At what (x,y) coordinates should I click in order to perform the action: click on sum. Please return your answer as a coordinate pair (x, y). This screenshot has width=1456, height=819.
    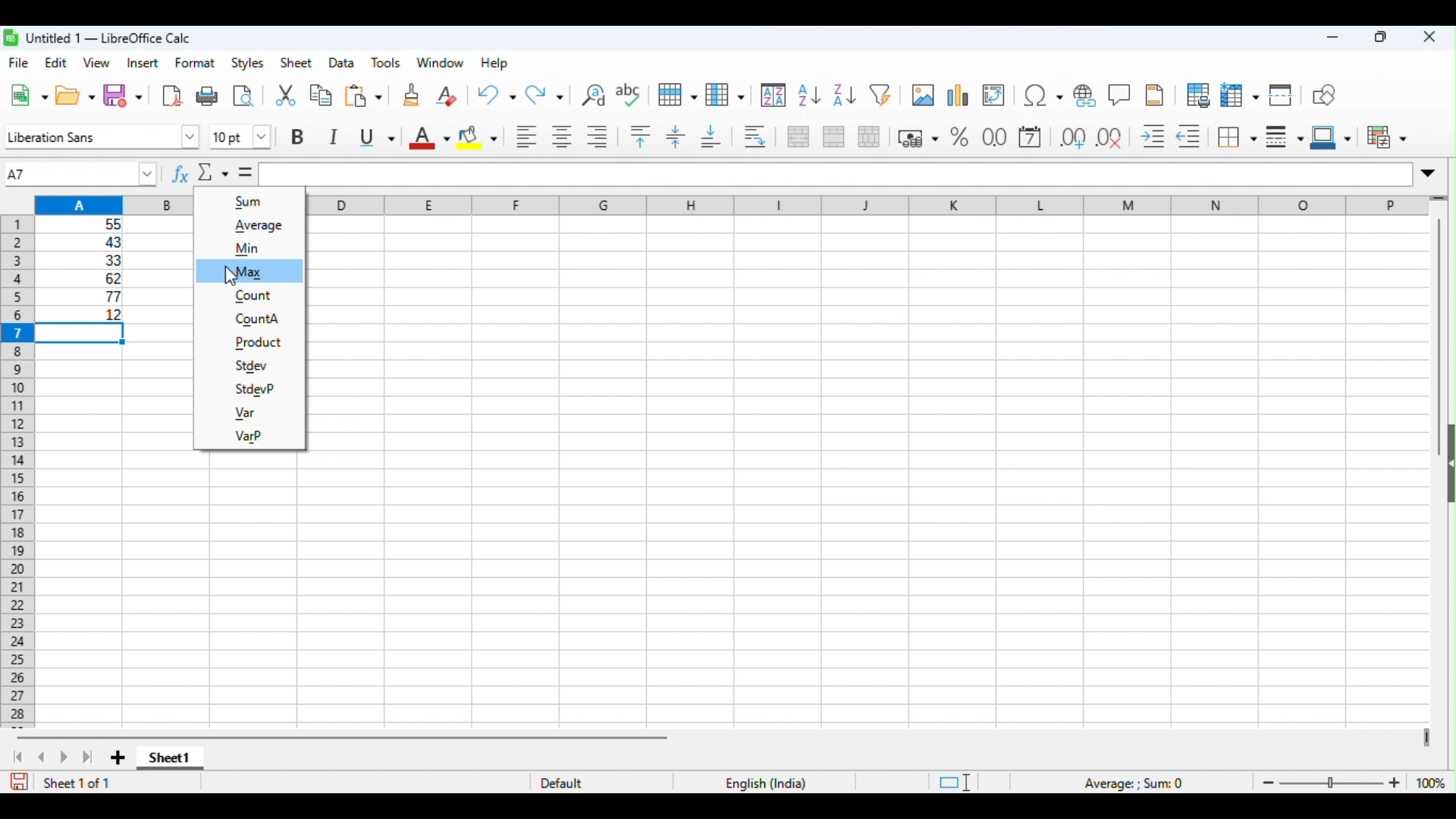
    Looking at the image, I should click on (254, 201).